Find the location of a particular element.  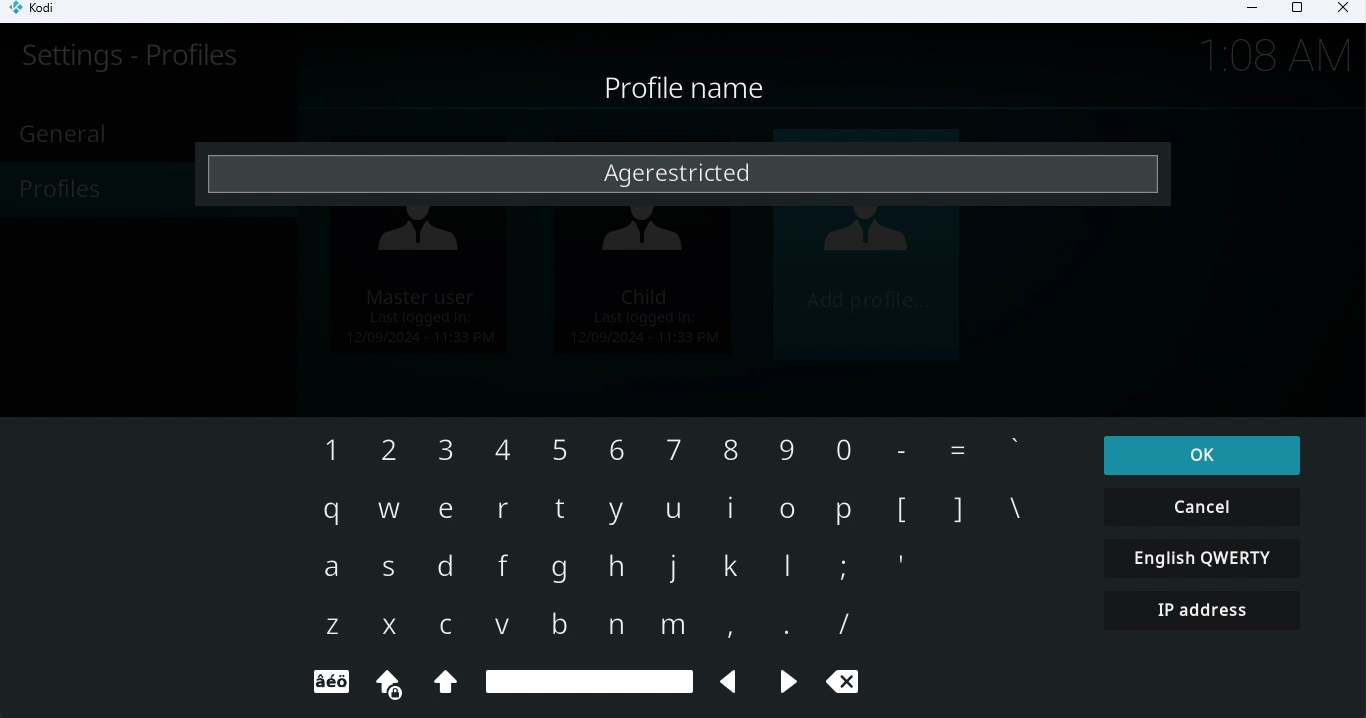

Agerestricted is located at coordinates (685, 180).